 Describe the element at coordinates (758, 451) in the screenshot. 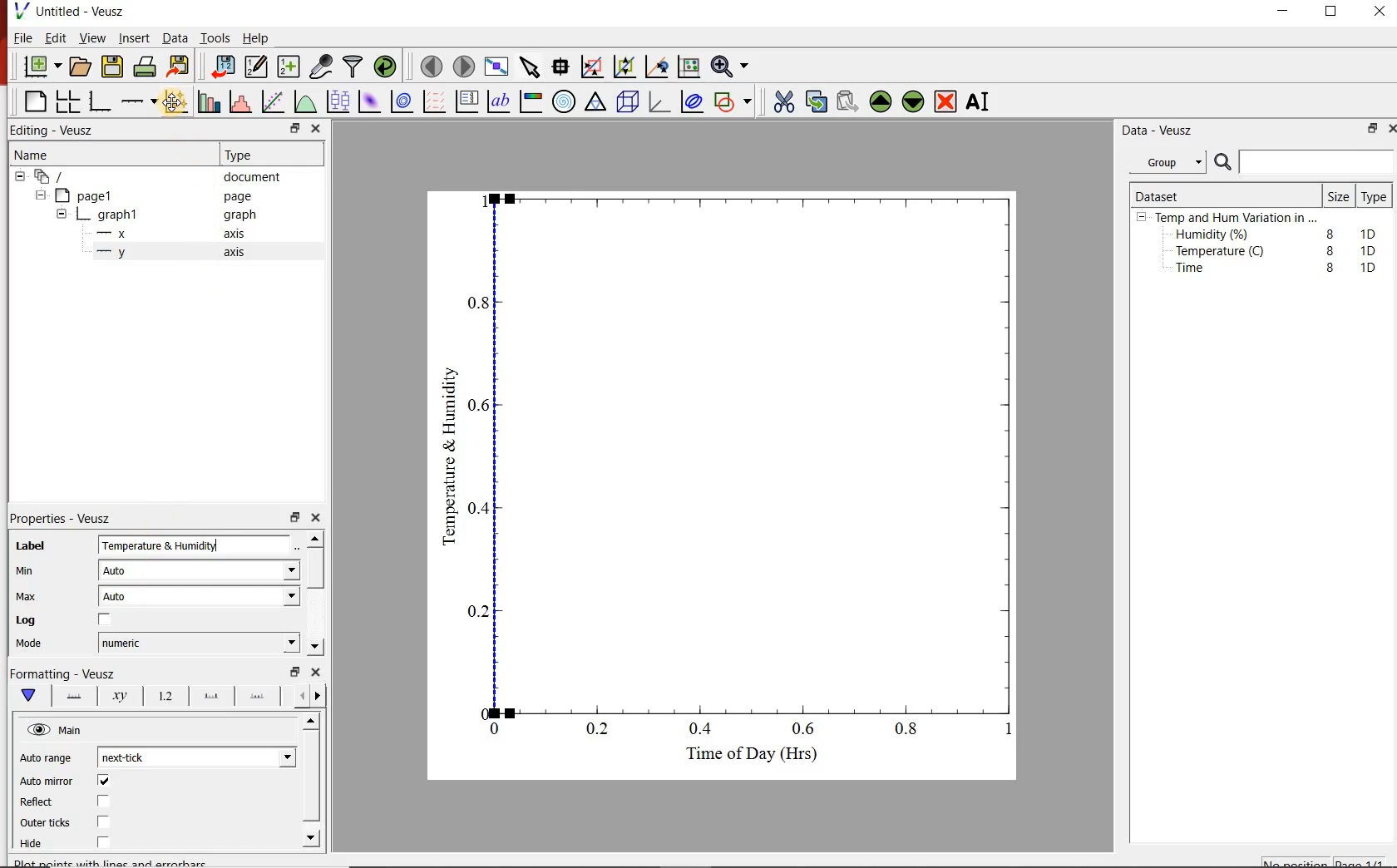

I see `Graph` at that location.